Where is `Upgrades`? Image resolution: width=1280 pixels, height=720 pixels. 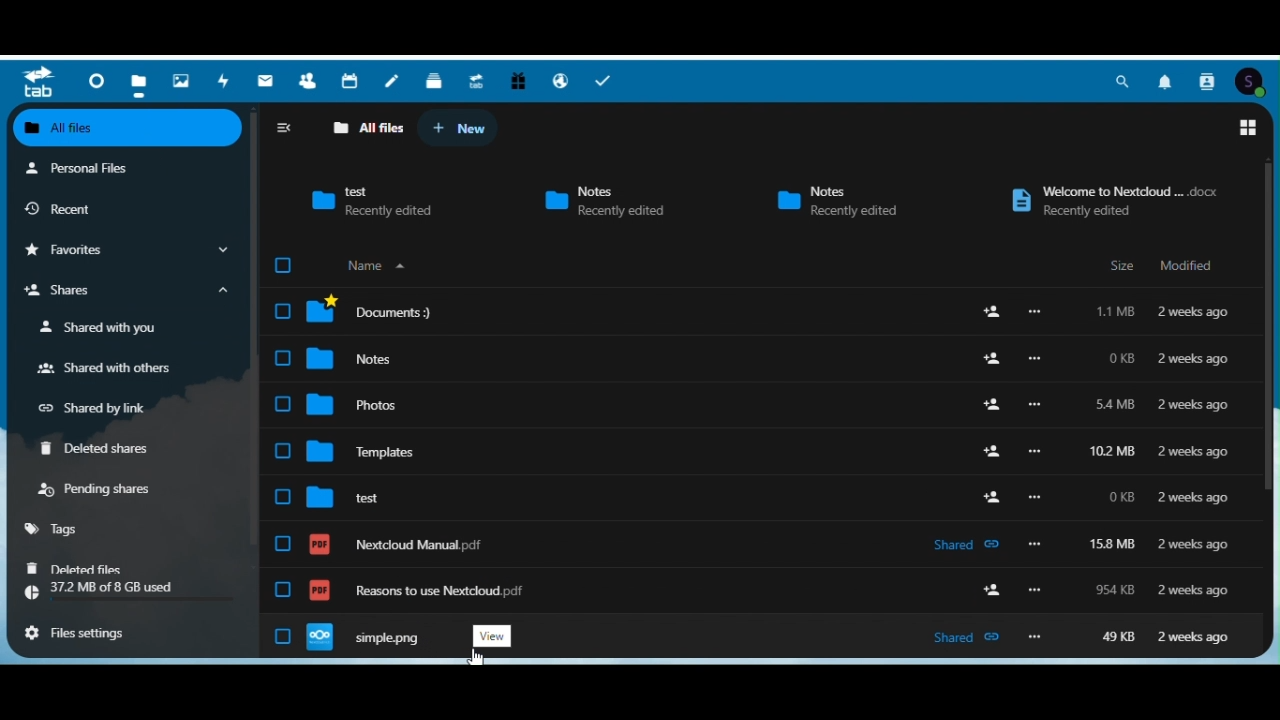 Upgrades is located at coordinates (476, 77).